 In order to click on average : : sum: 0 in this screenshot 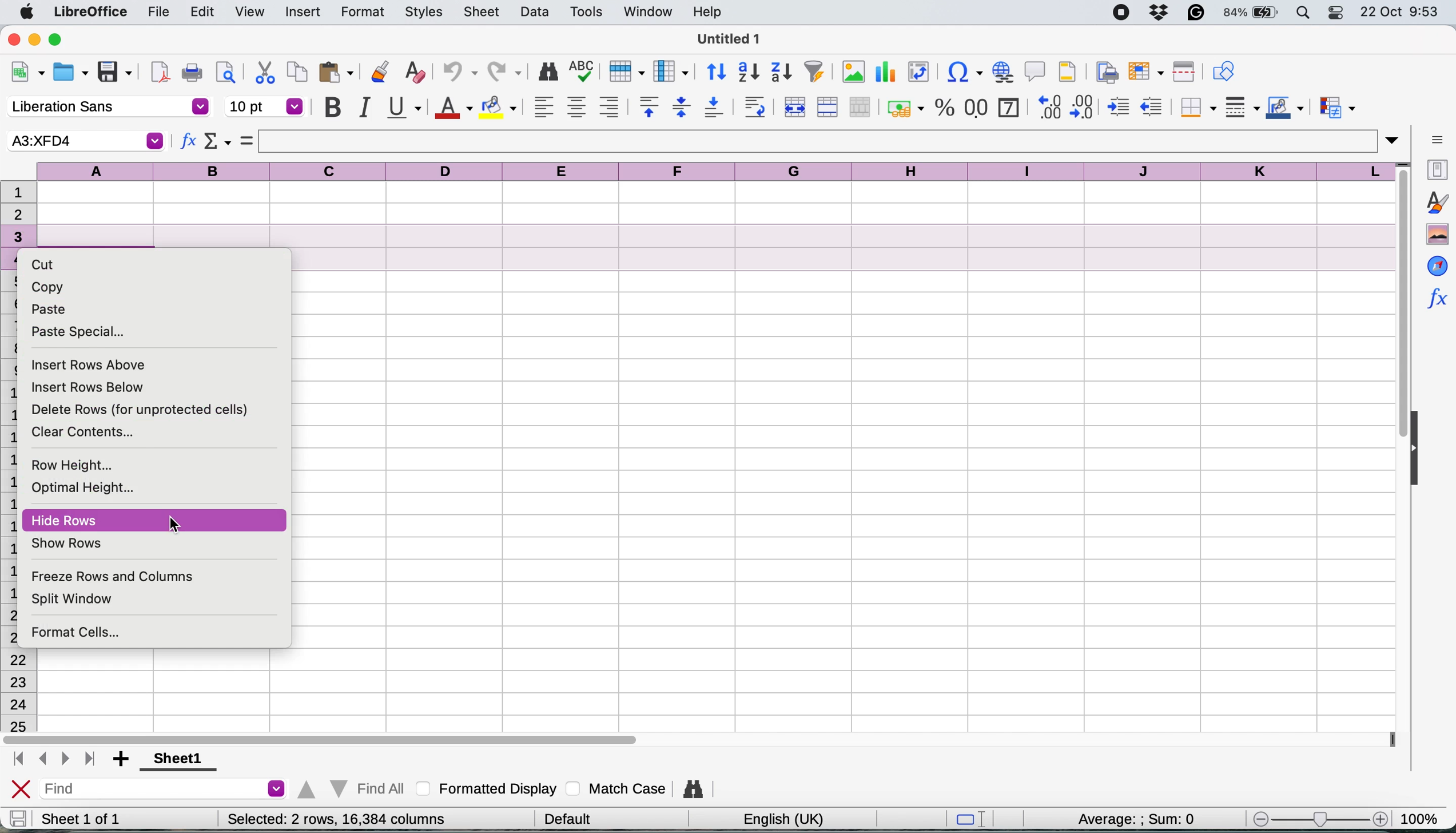, I will do `click(1121, 817)`.